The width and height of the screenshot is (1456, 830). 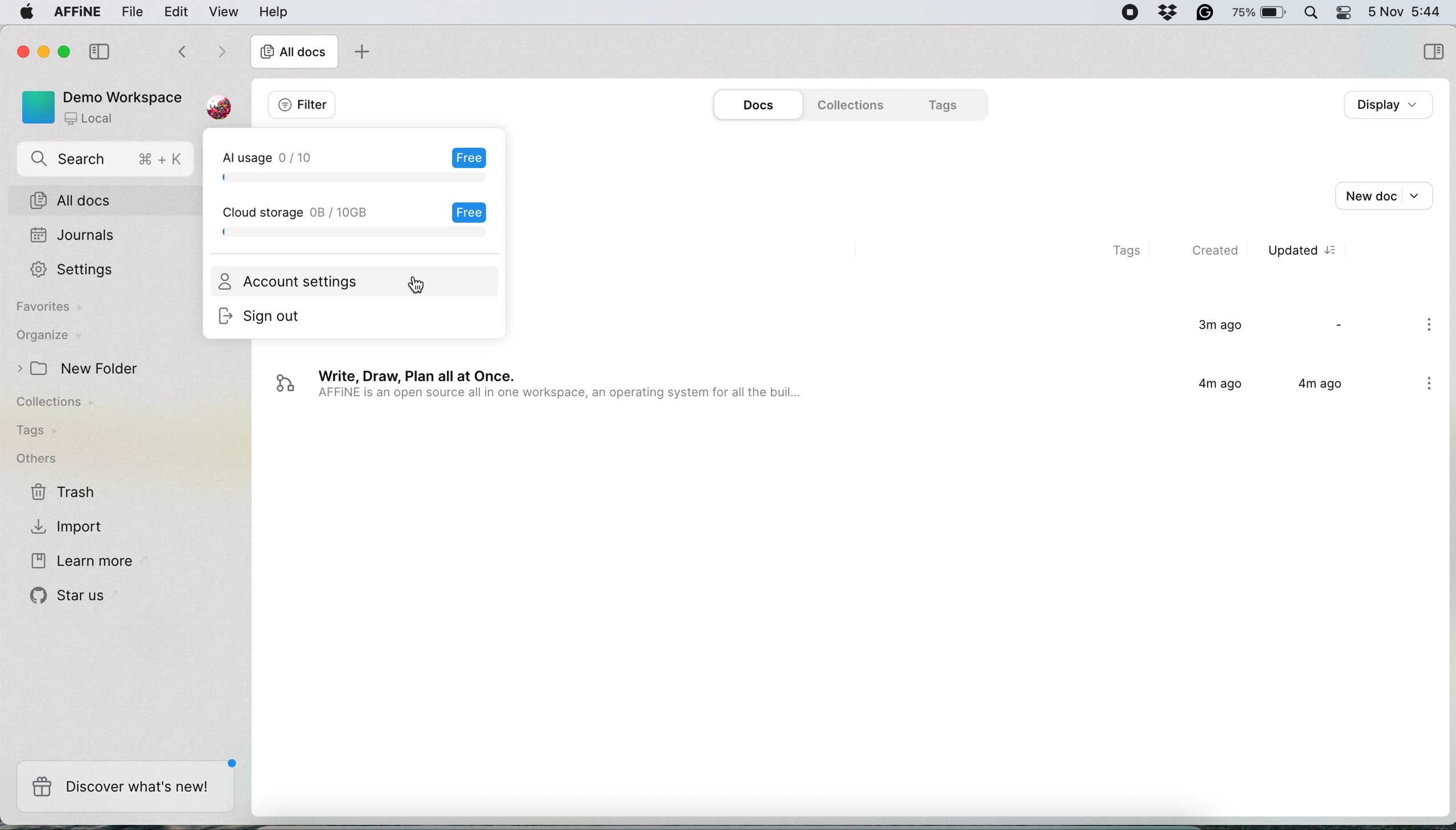 What do you see at coordinates (79, 562) in the screenshot?
I see `learn more` at bounding box center [79, 562].